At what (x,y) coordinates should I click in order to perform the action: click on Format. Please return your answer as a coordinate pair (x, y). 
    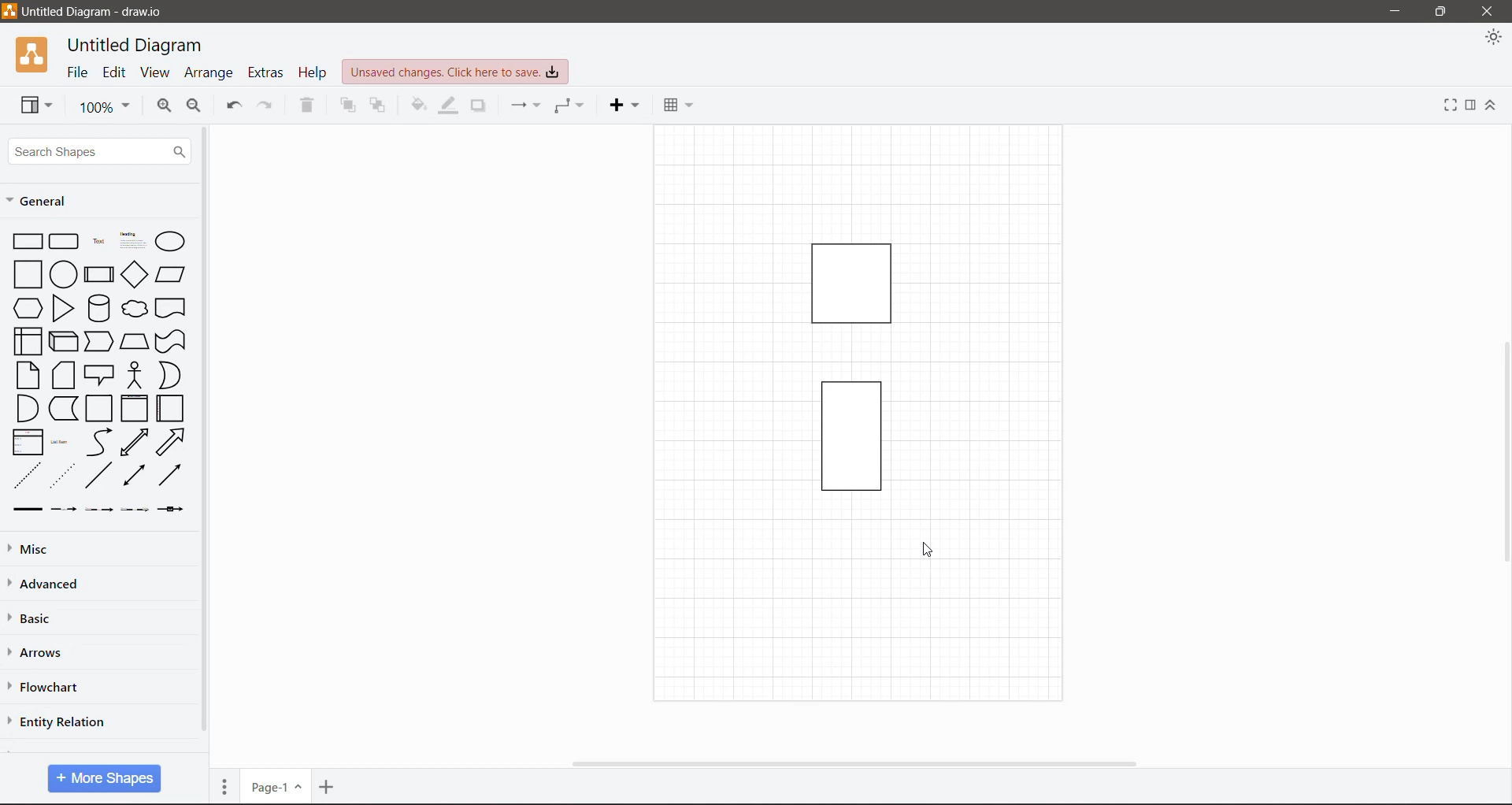
    Looking at the image, I should click on (1471, 106).